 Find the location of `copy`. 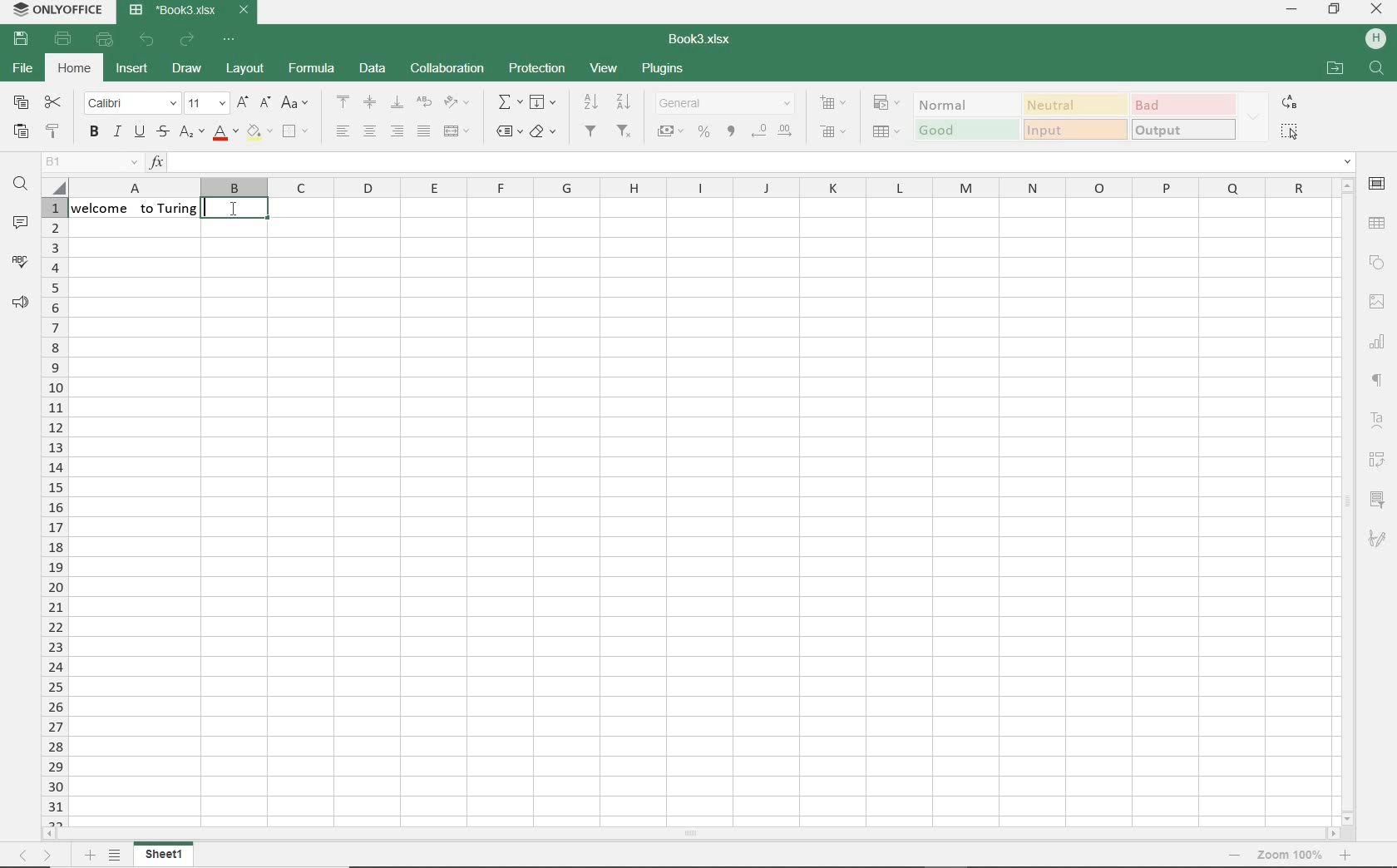

copy is located at coordinates (21, 102).